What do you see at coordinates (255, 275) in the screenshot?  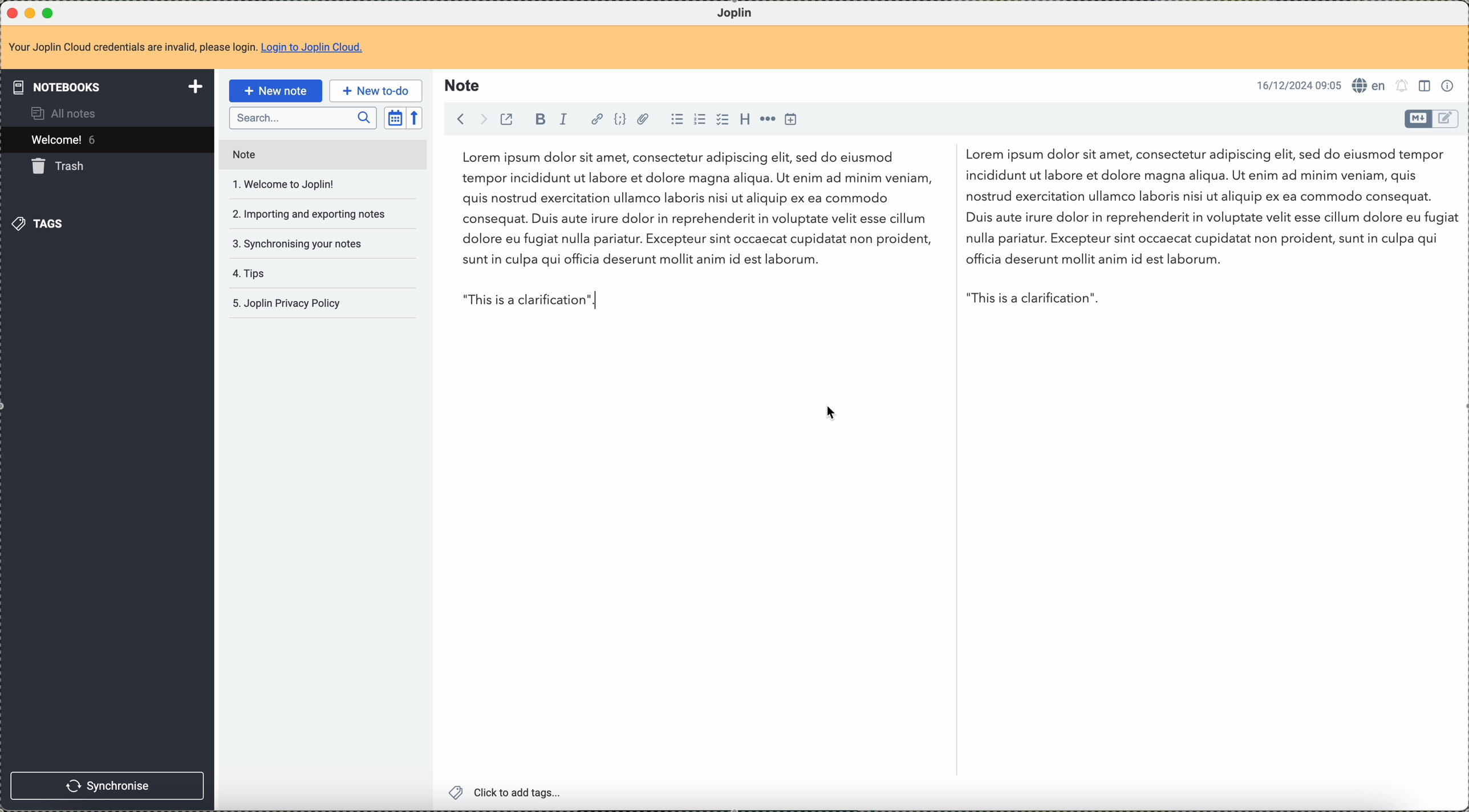 I see `tips` at bounding box center [255, 275].